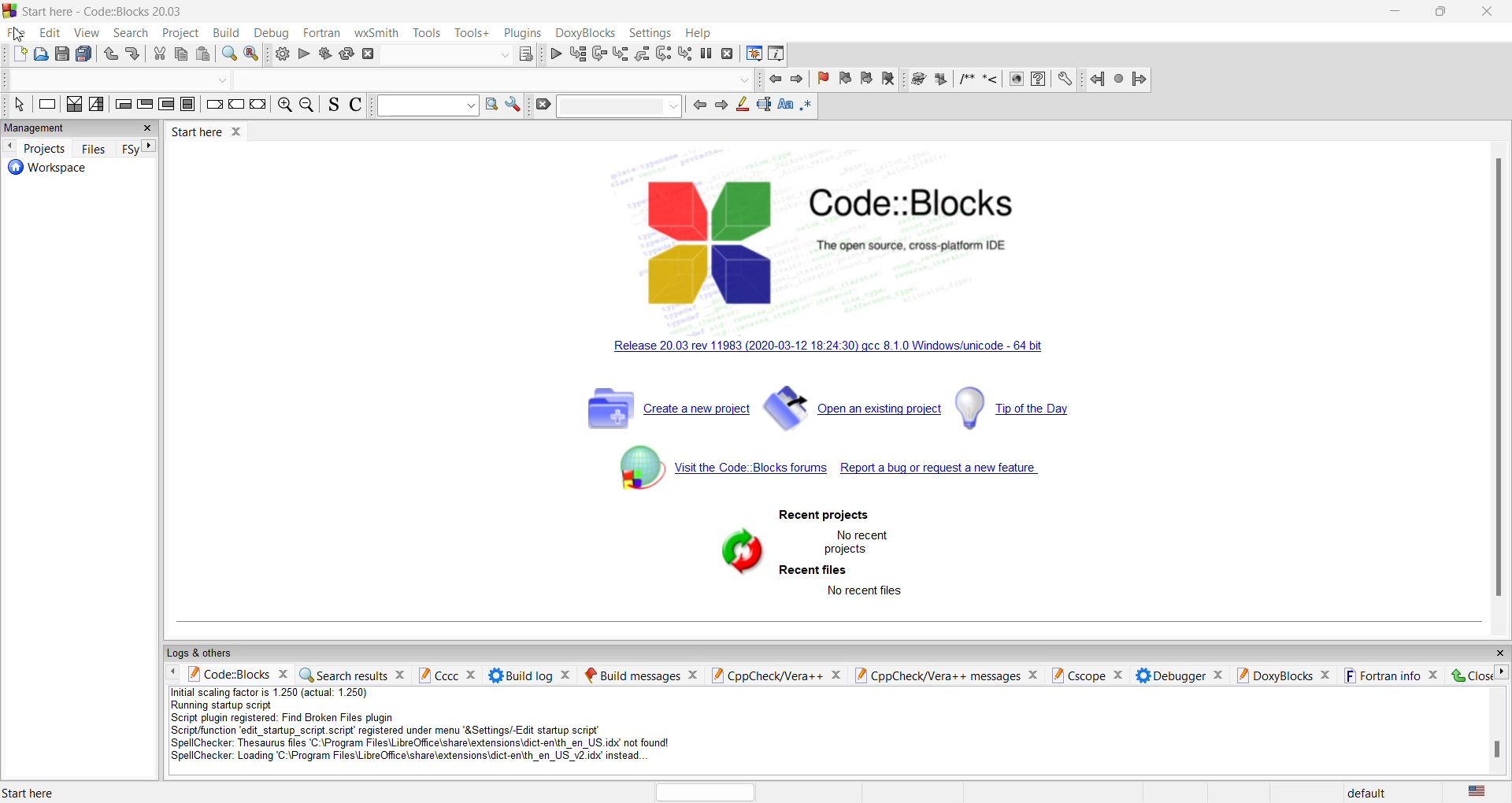 Image resolution: width=1512 pixels, height=803 pixels. Describe the element at coordinates (530, 674) in the screenshot. I see `build log pane` at that location.